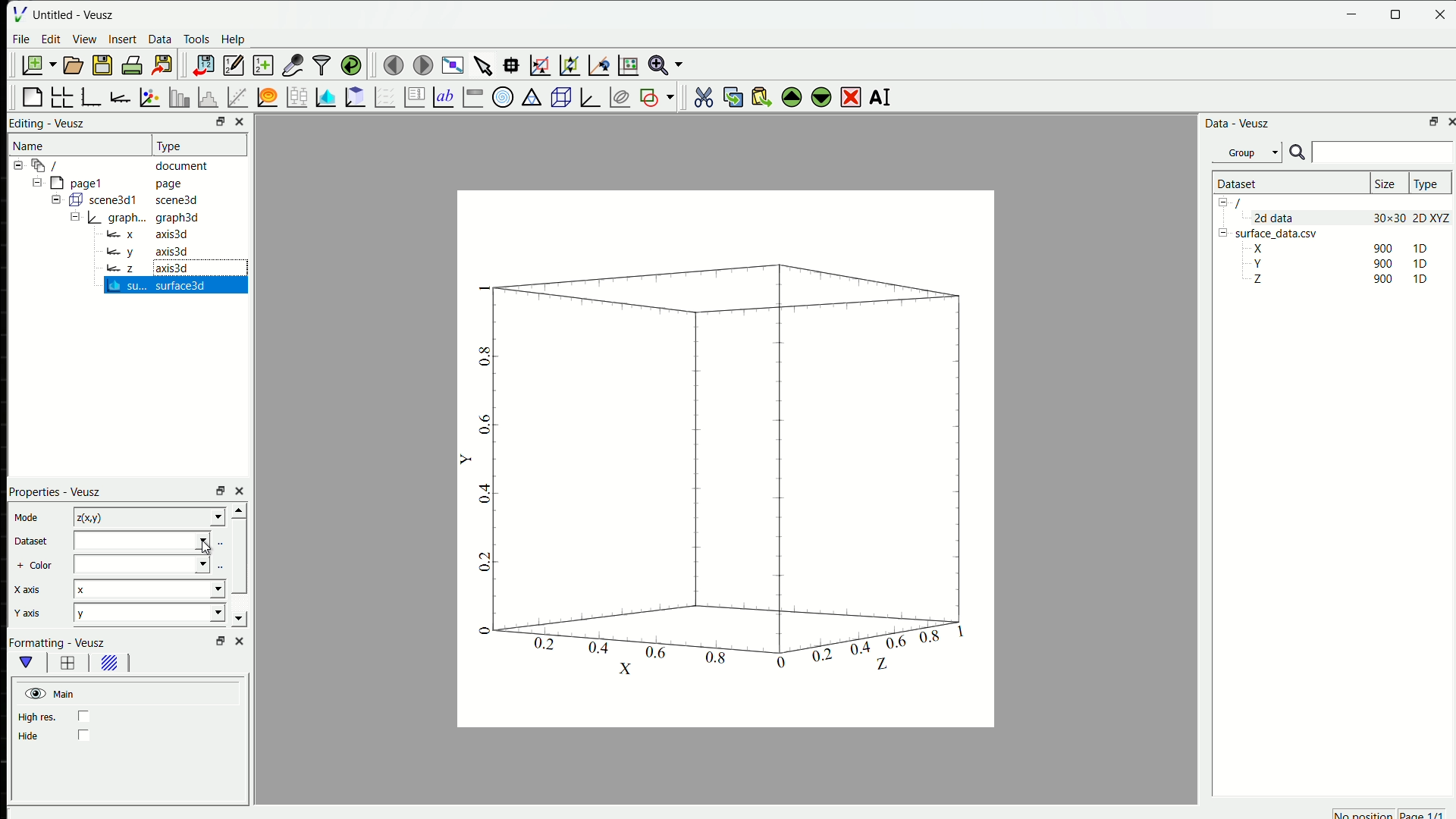 The image size is (1456, 819). Describe the element at coordinates (27, 613) in the screenshot. I see `Y axis` at that location.